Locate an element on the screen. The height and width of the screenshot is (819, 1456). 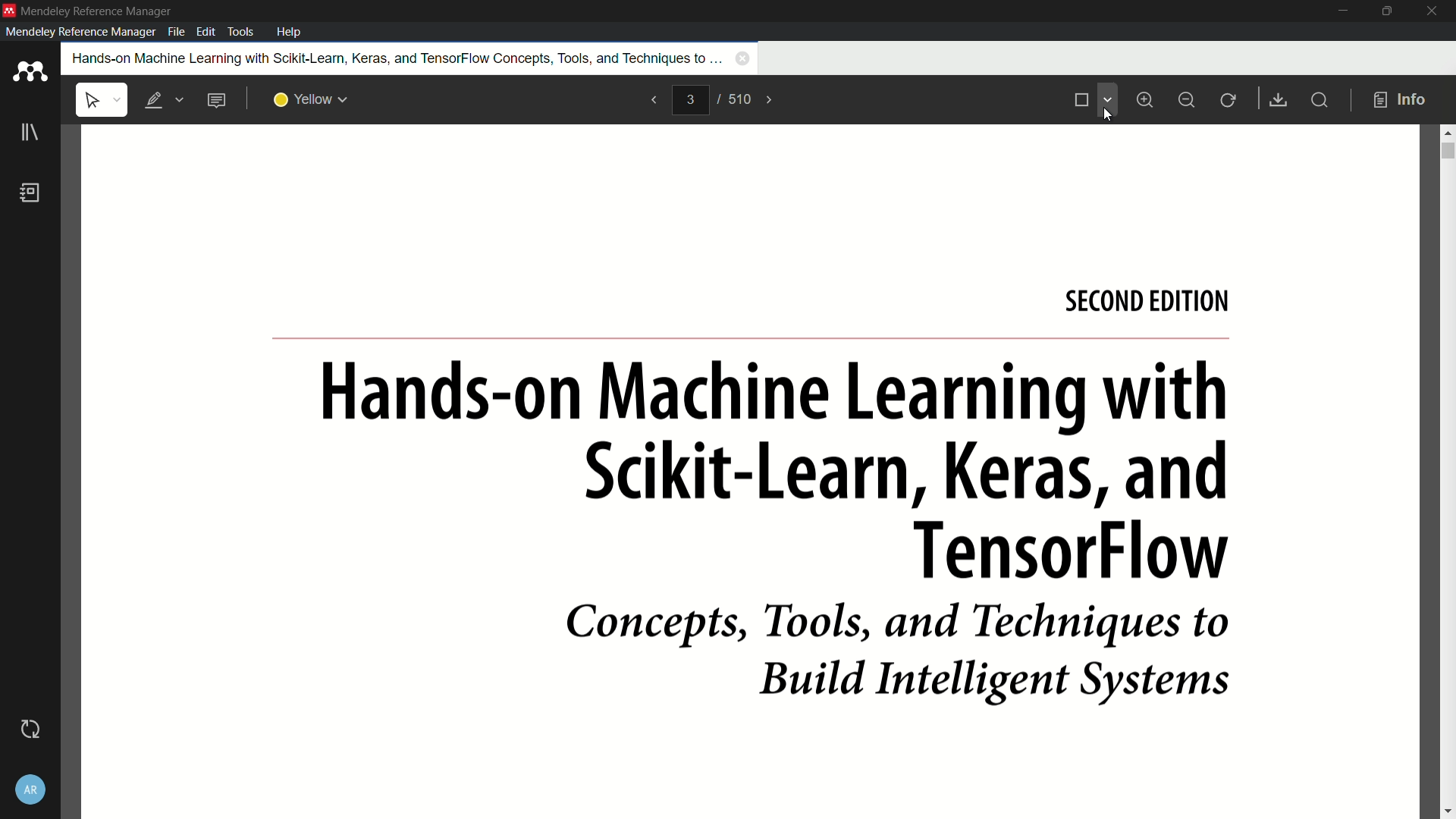
zoom out is located at coordinates (1186, 101).